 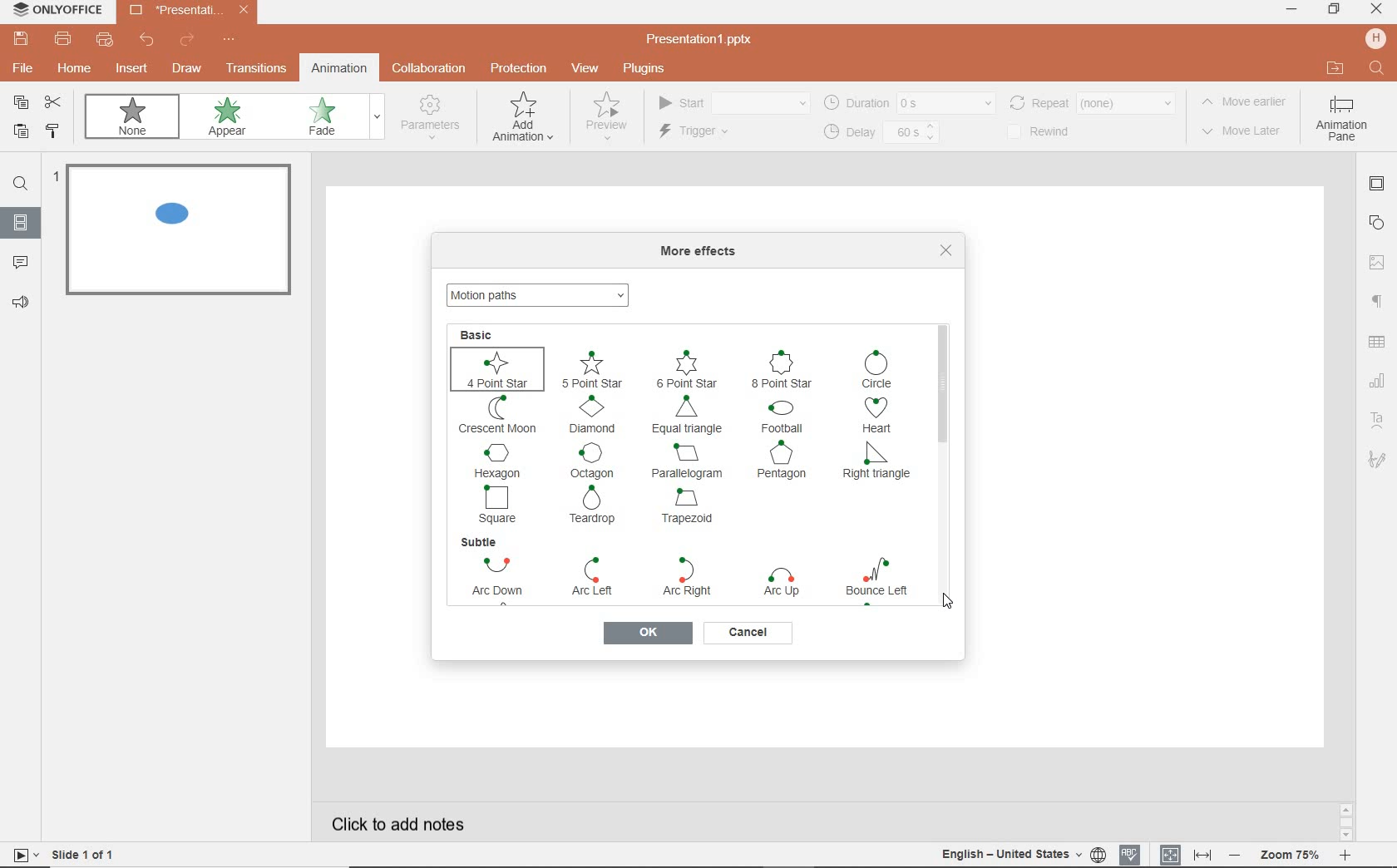 I want to click on delay, so click(x=880, y=133).